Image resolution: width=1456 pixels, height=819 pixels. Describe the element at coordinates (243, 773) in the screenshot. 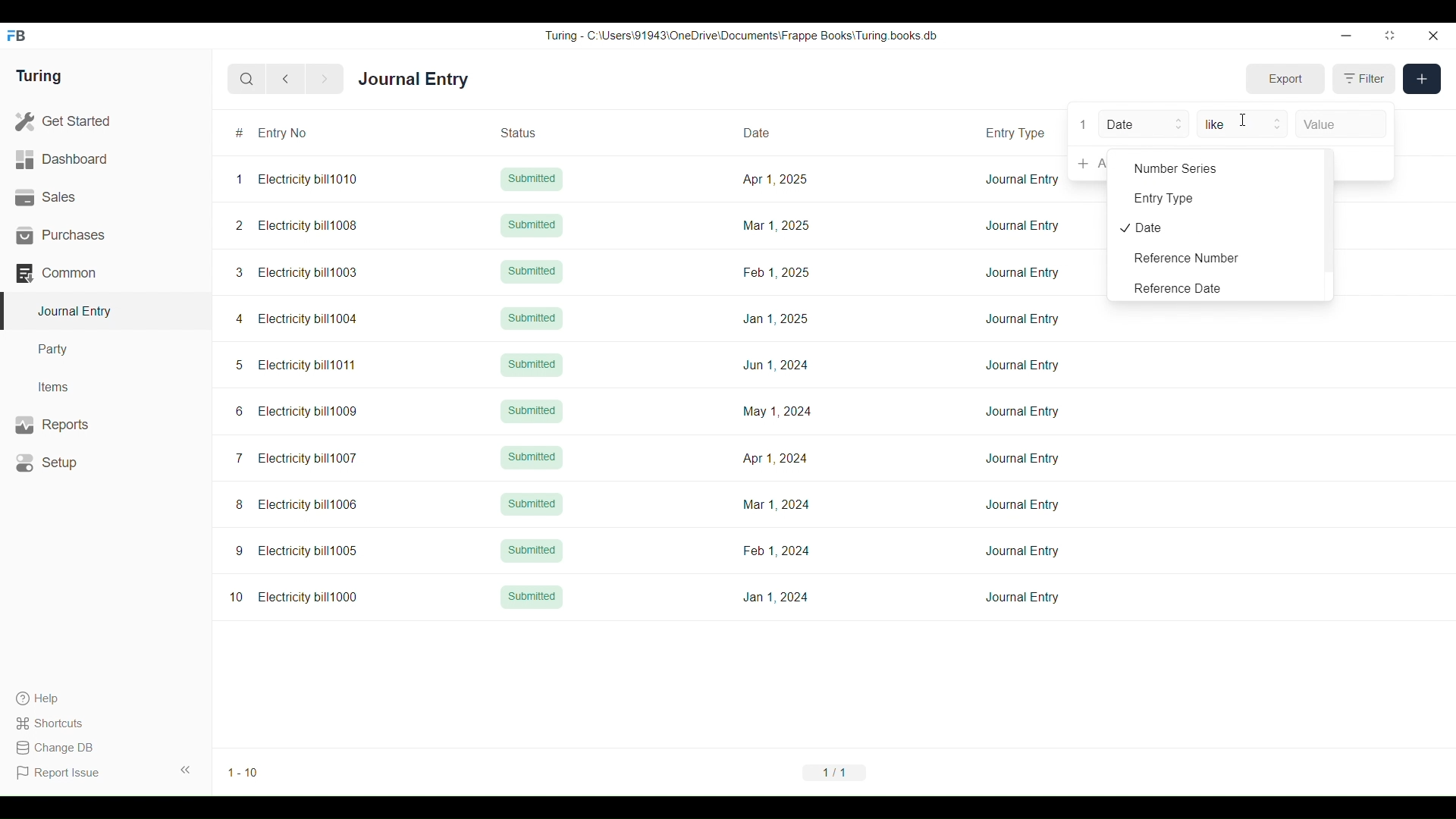

I see `1-10` at that location.